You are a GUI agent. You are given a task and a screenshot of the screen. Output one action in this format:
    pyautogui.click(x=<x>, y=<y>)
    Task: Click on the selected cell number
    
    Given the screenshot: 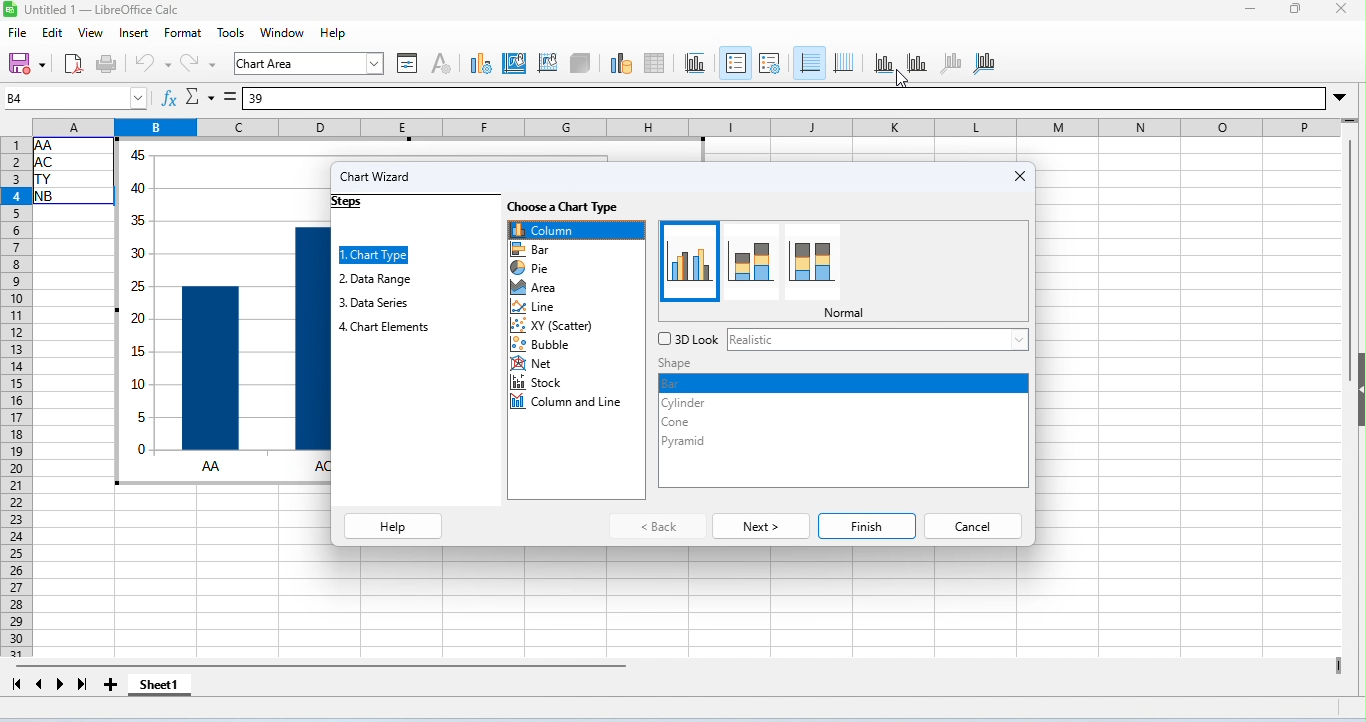 What is the action you would take?
    pyautogui.click(x=77, y=99)
    